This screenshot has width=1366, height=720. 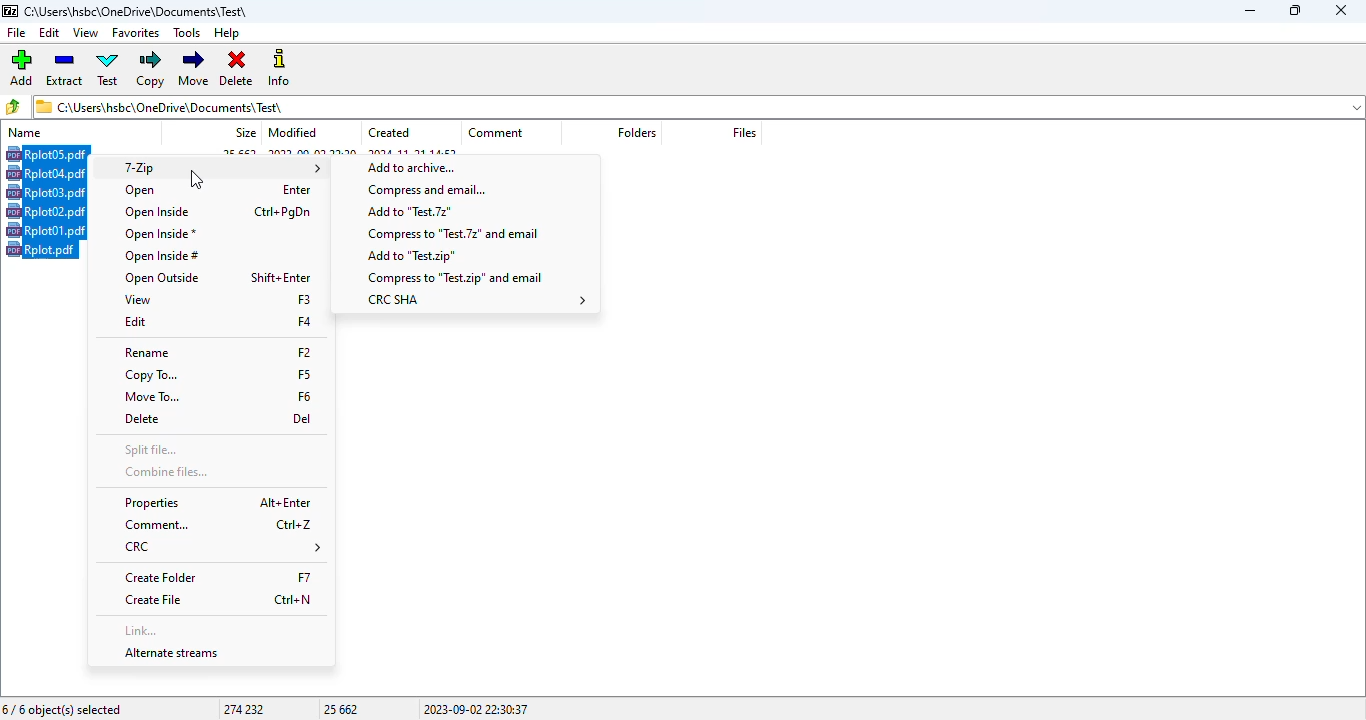 What do you see at coordinates (108, 69) in the screenshot?
I see `test` at bounding box center [108, 69].